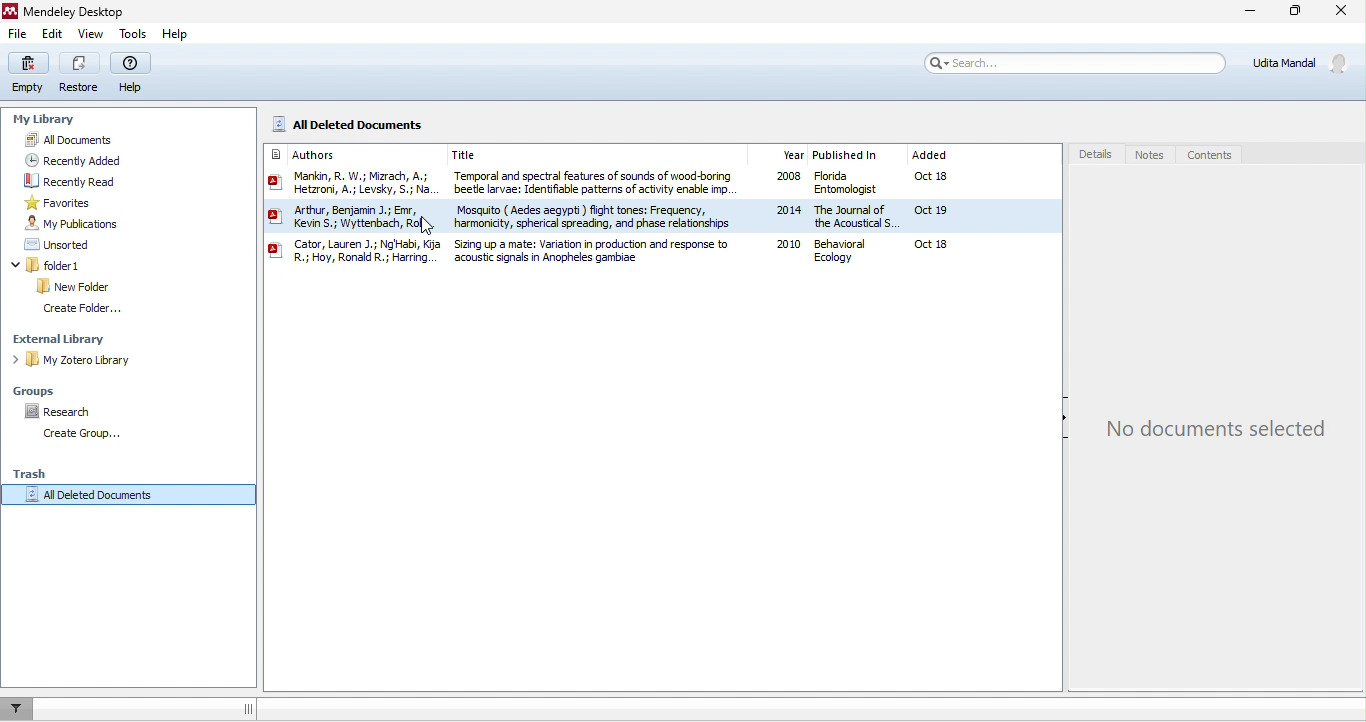 The width and height of the screenshot is (1366, 722). I want to click on 2008 2014 2010, so click(782, 211).